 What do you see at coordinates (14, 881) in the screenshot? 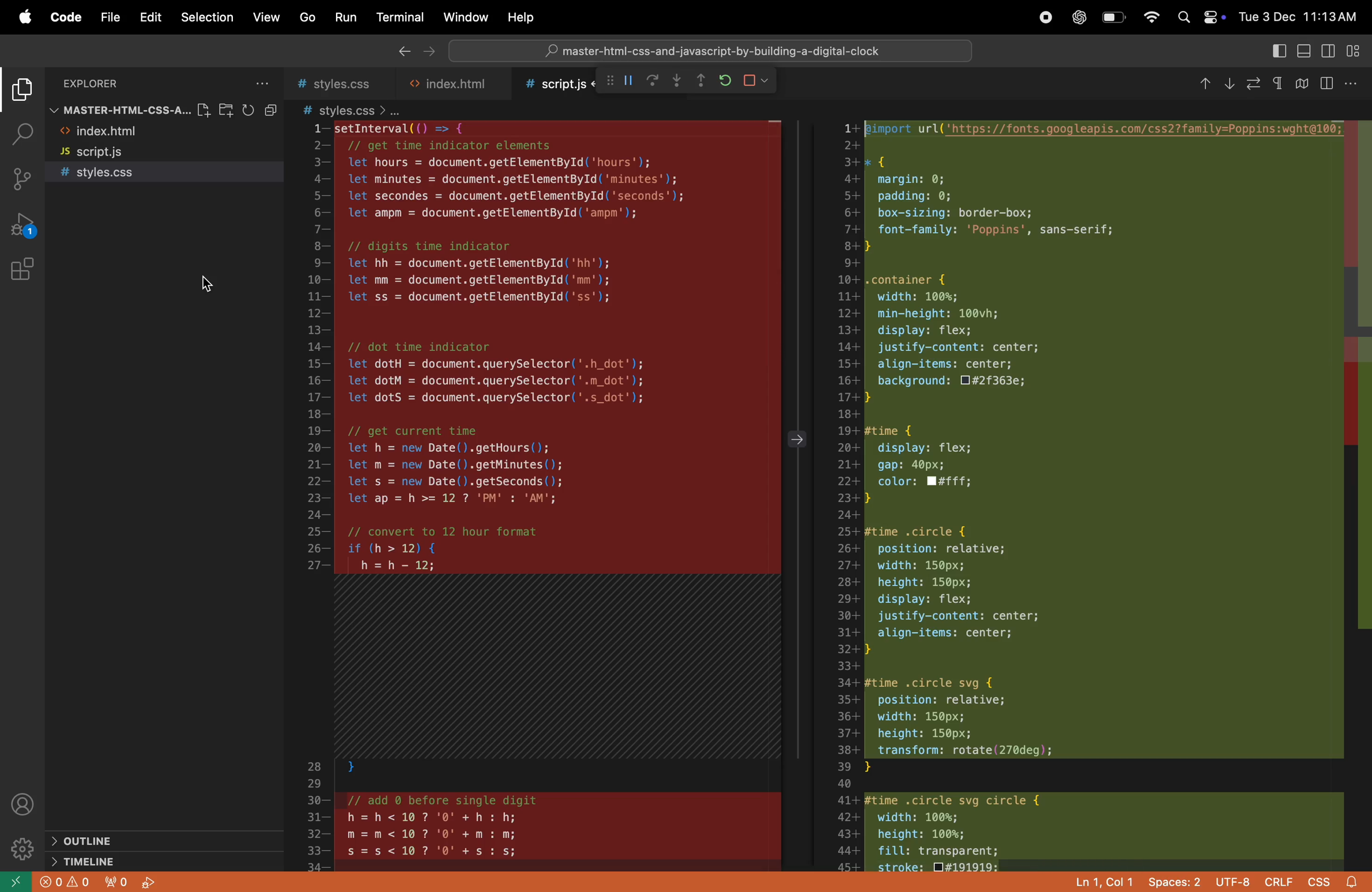
I see `open remote window` at bounding box center [14, 881].